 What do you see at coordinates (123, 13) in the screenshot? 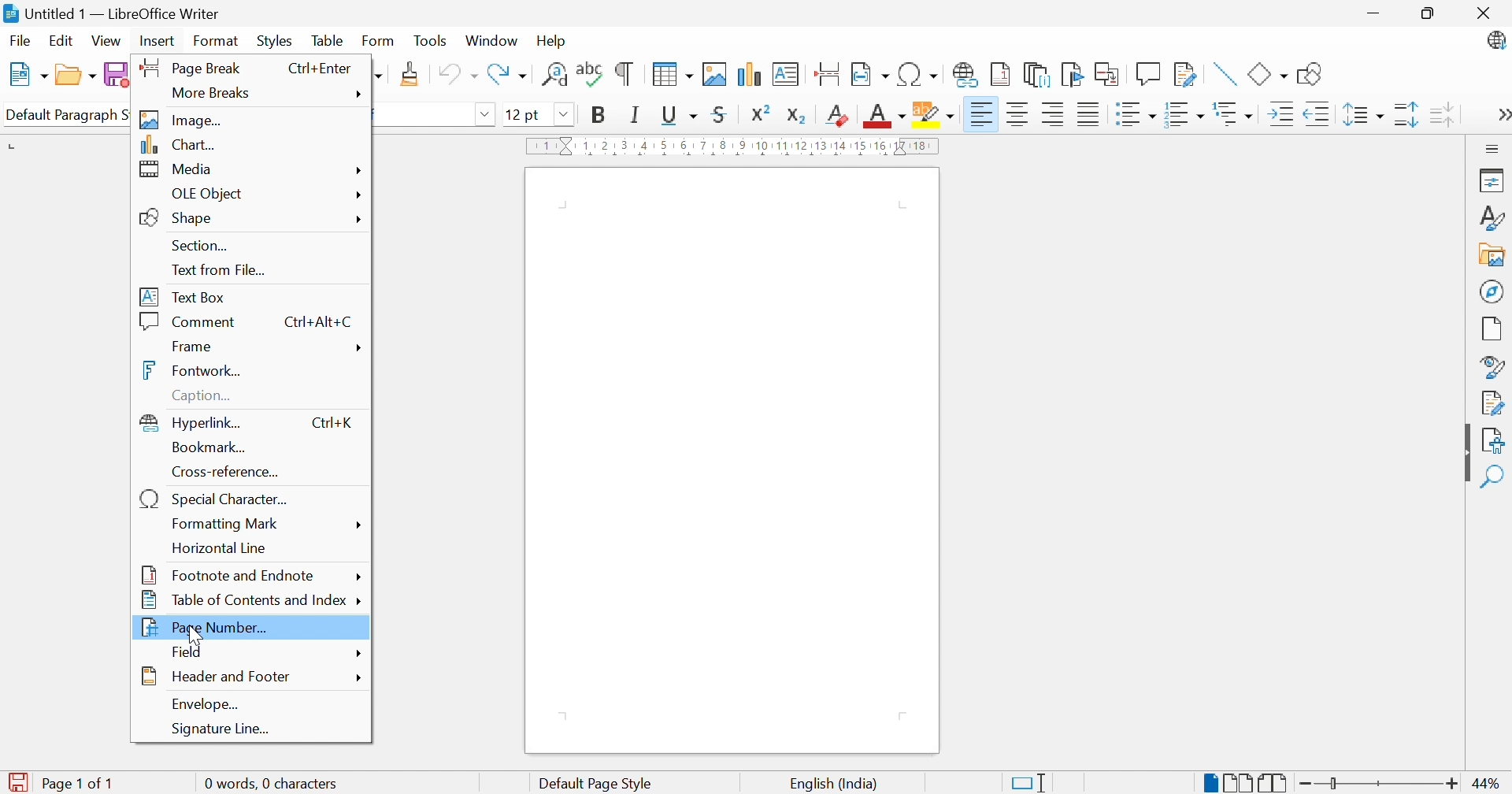
I see `Untitled 1 - LibreOffice Writer` at bounding box center [123, 13].